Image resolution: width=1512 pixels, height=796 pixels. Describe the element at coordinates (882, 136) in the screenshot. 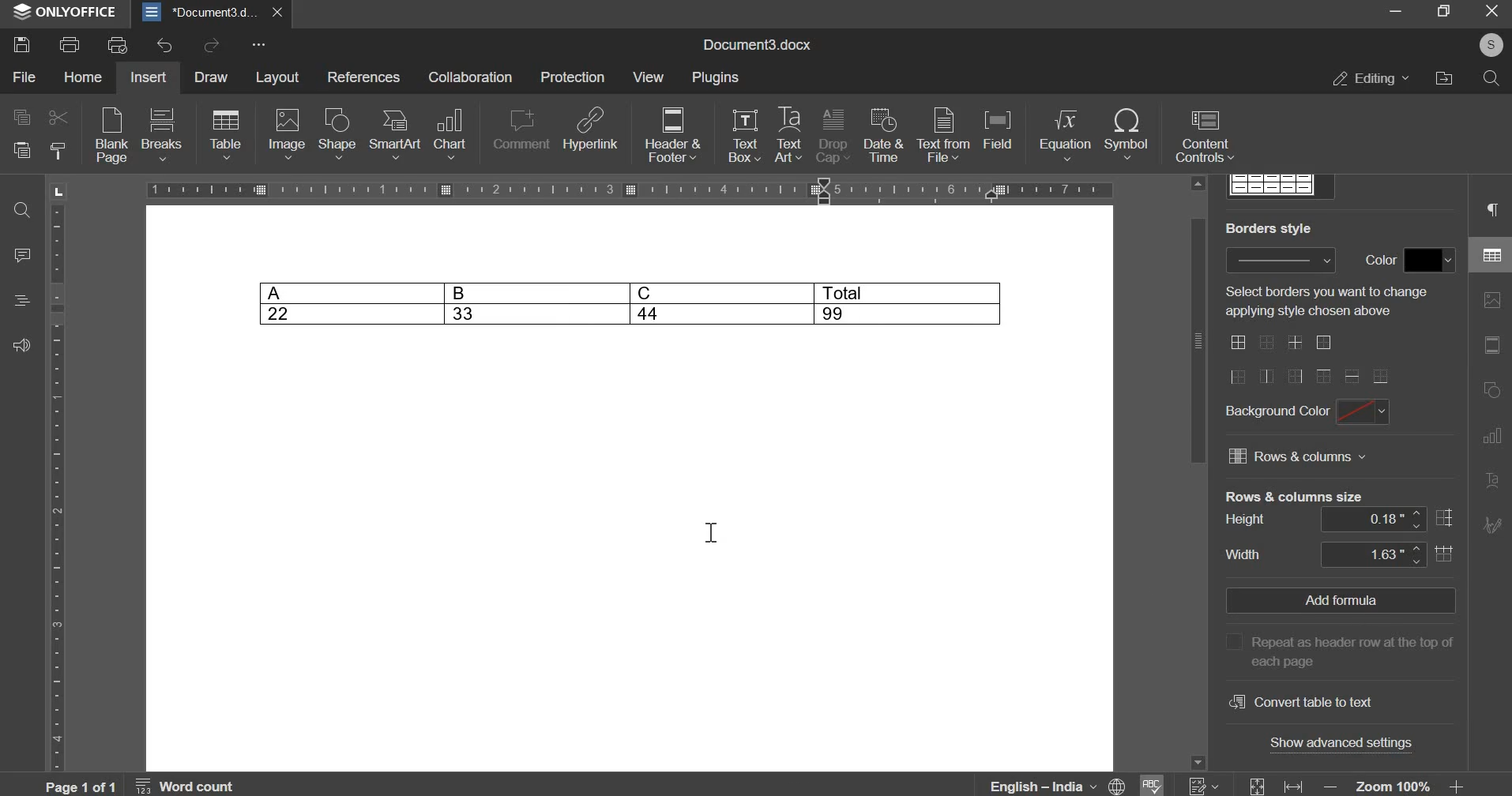

I see `date & time` at that location.